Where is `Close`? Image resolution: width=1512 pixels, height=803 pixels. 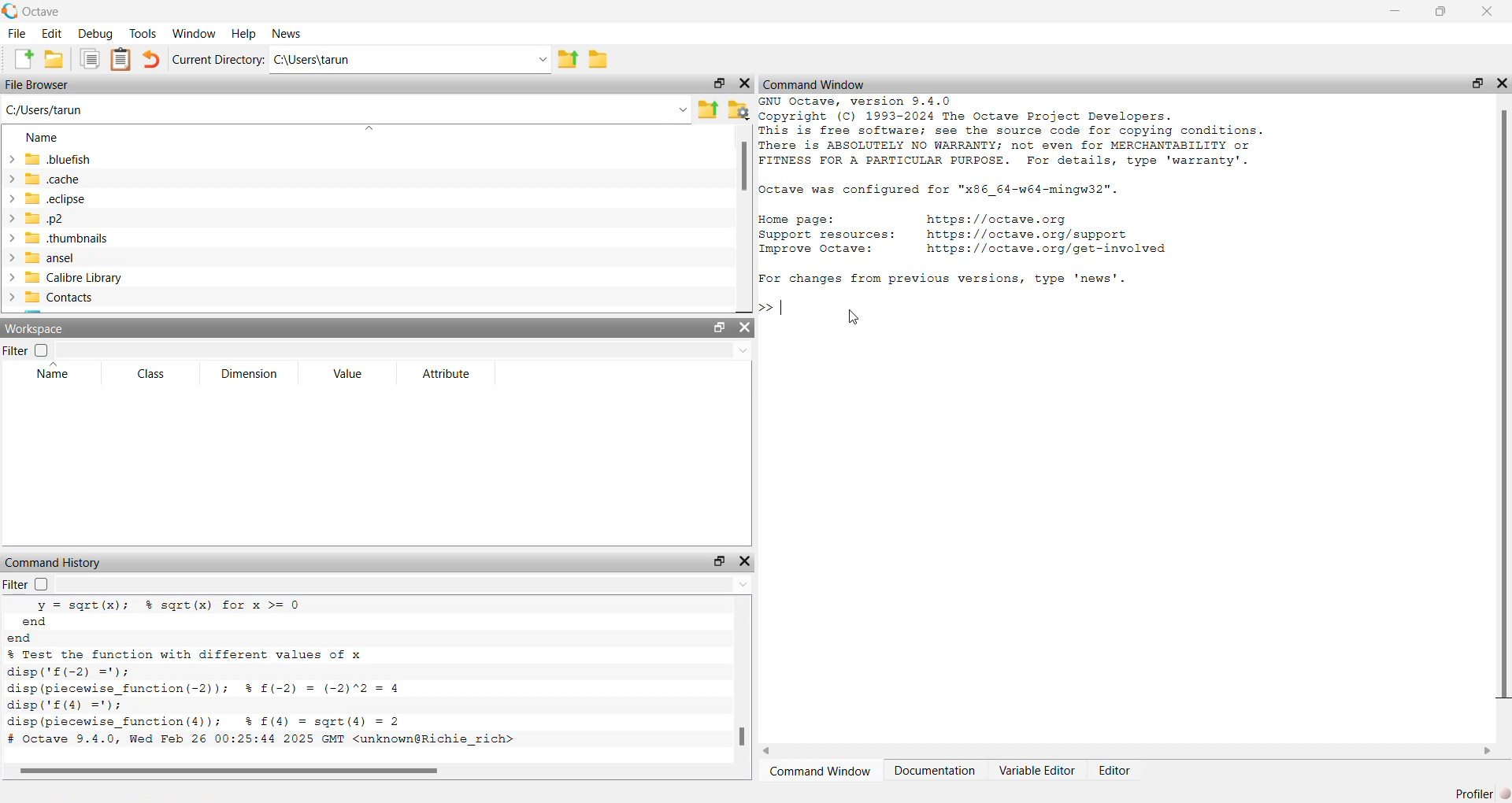
Close is located at coordinates (743, 561).